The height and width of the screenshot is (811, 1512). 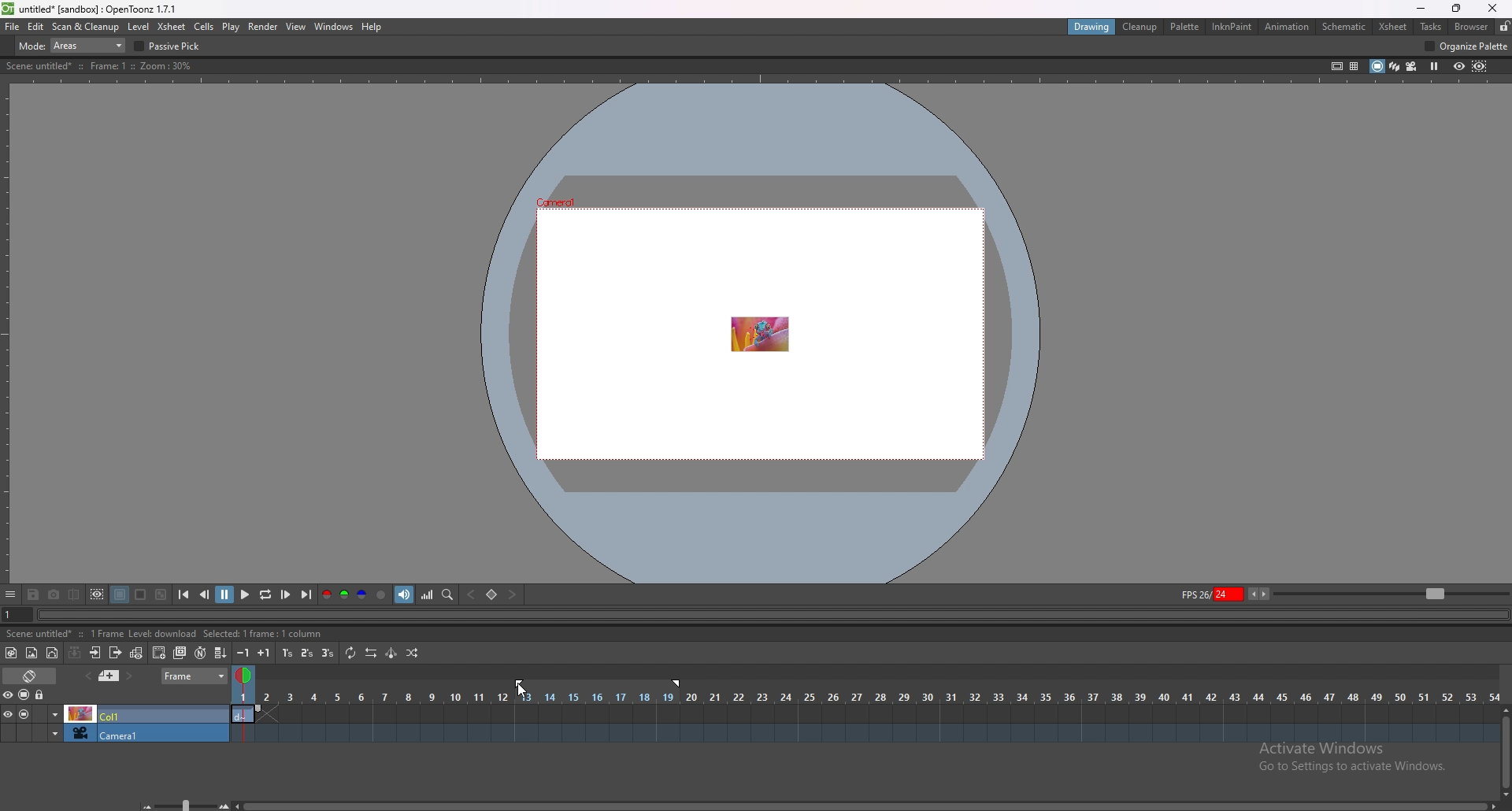 I want to click on create blank drawing, so click(x=159, y=653).